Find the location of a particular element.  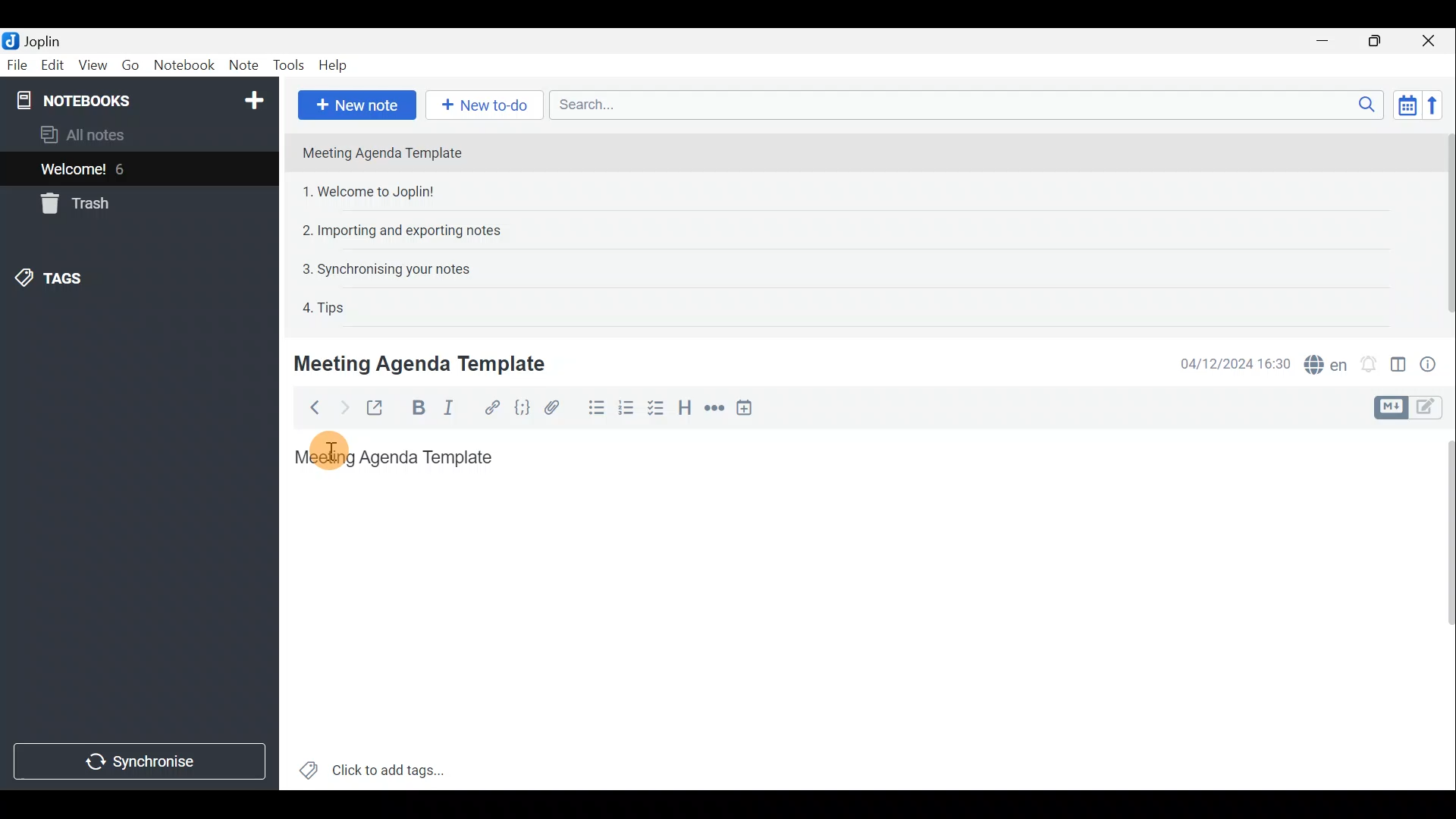

1. Welcome to Joplin! is located at coordinates (373, 191).